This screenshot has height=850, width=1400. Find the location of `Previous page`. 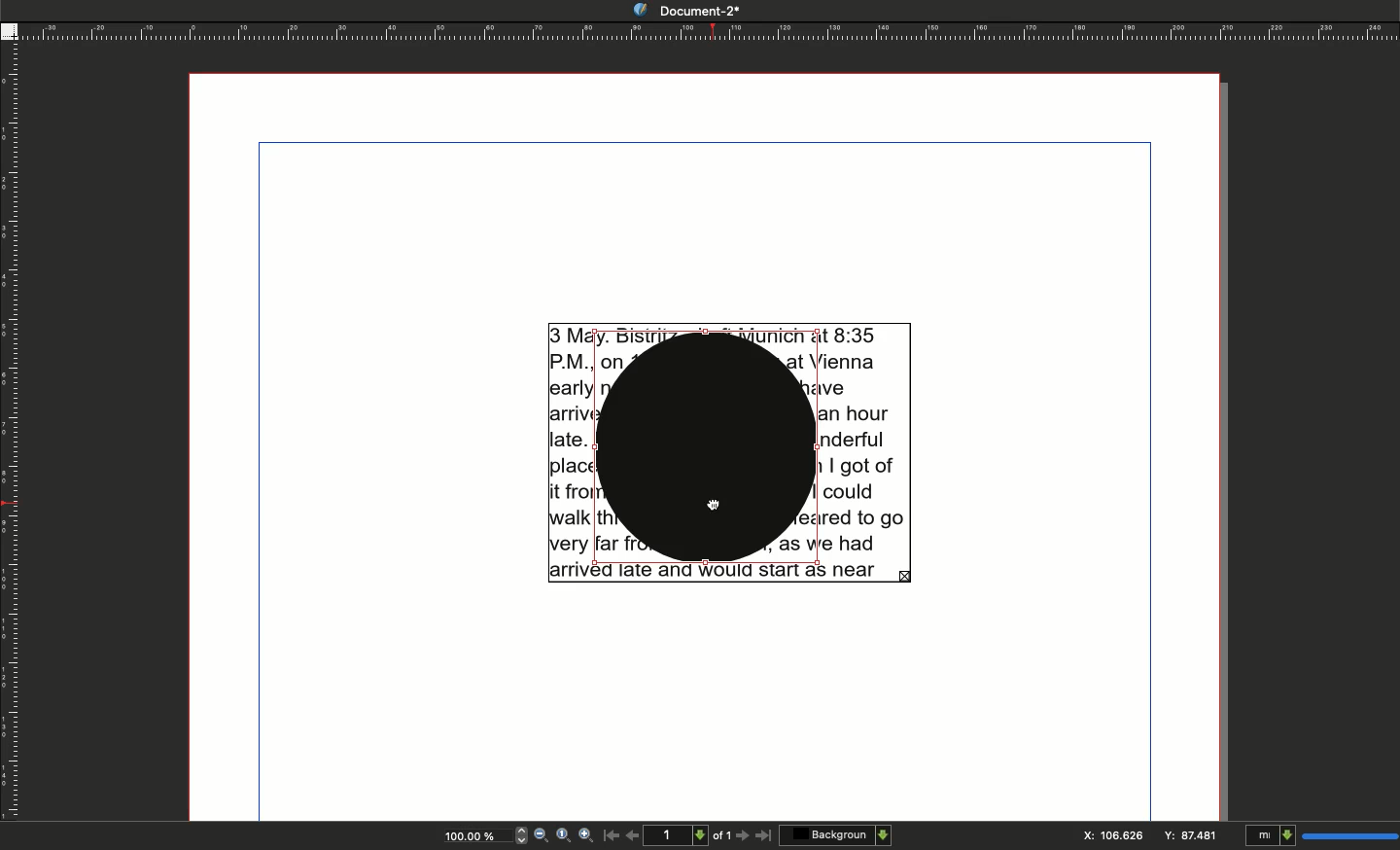

Previous page is located at coordinates (633, 833).